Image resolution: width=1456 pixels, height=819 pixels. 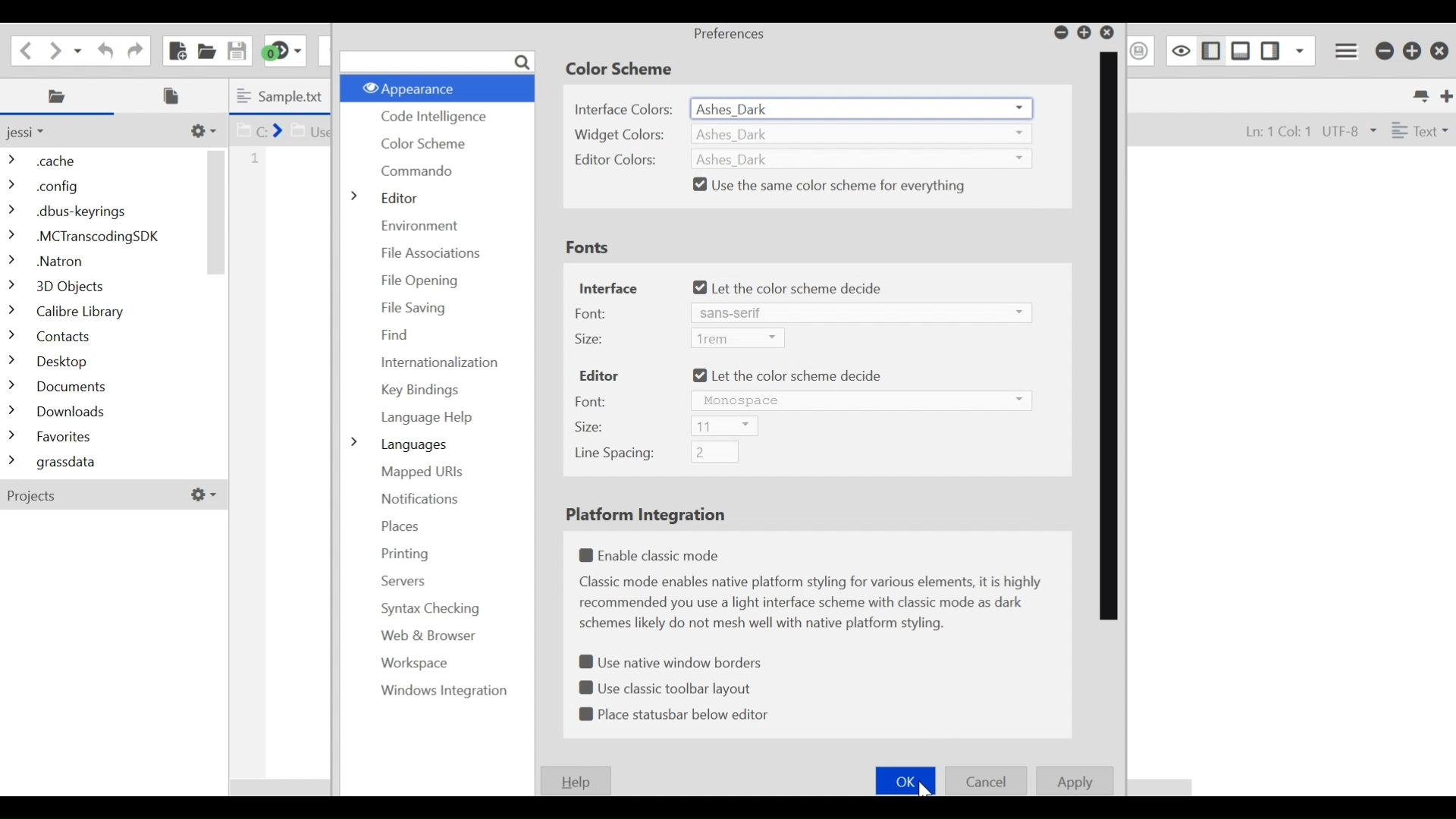 What do you see at coordinates (425, 635) in the screenshot?
I see `Web & Browser` at bounding box center [425, 635].